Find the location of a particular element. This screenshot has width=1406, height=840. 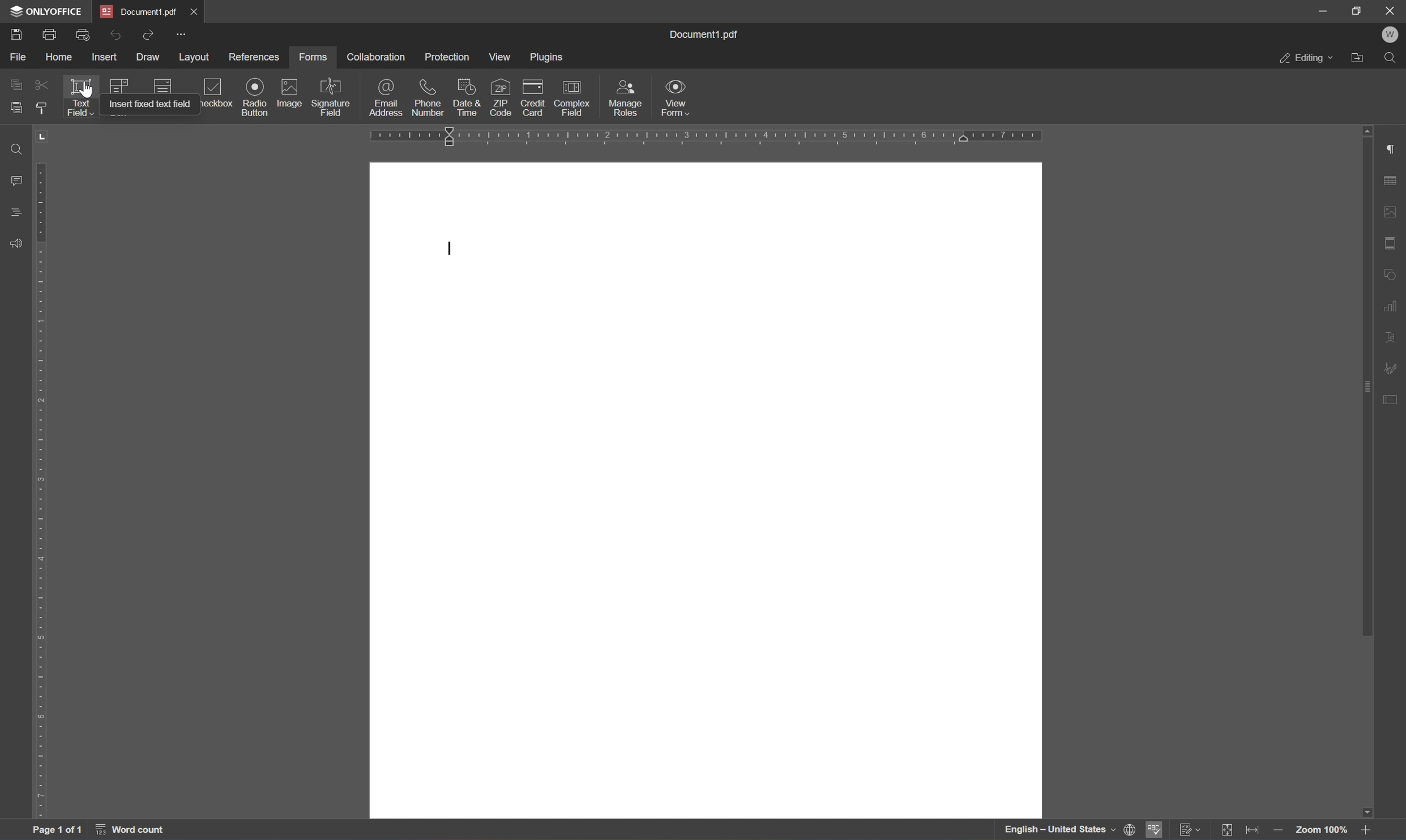

text art settings is located at coordinates (1392, 339).